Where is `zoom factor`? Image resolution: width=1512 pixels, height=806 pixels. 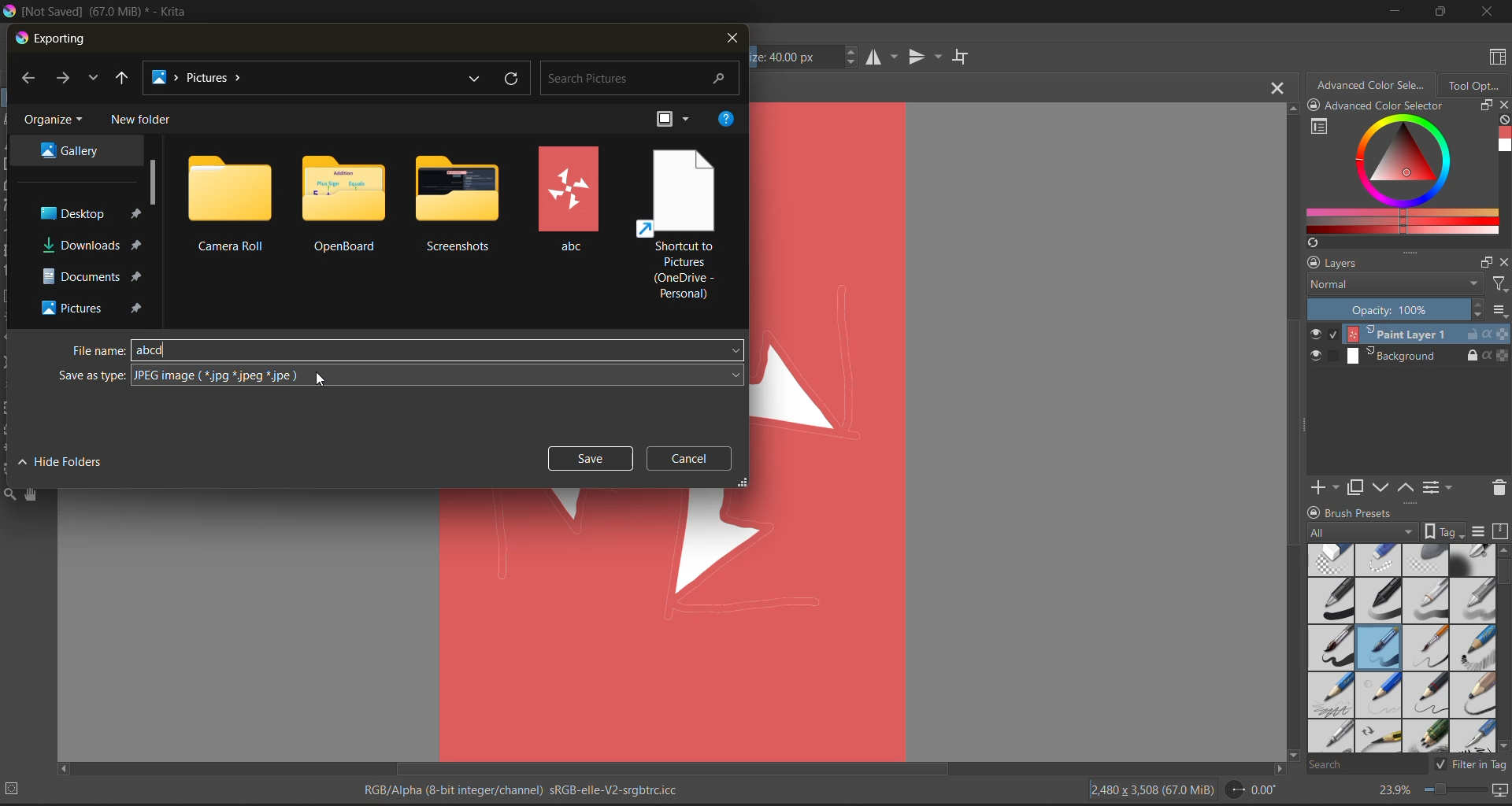 zoom factor is located at coordinates (1396, 790).